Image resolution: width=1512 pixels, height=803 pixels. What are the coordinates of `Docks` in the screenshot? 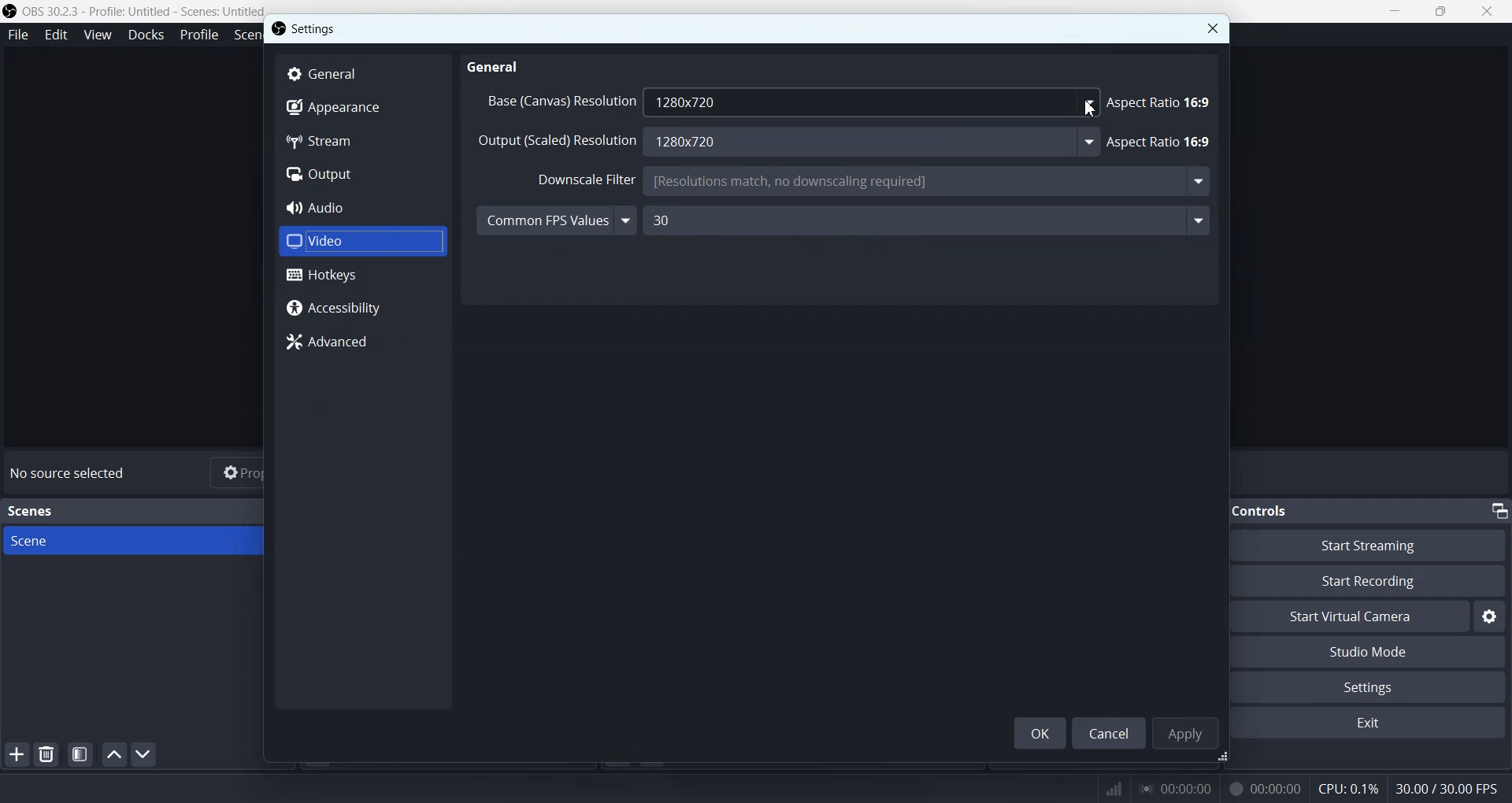 It's located at (146, 35).